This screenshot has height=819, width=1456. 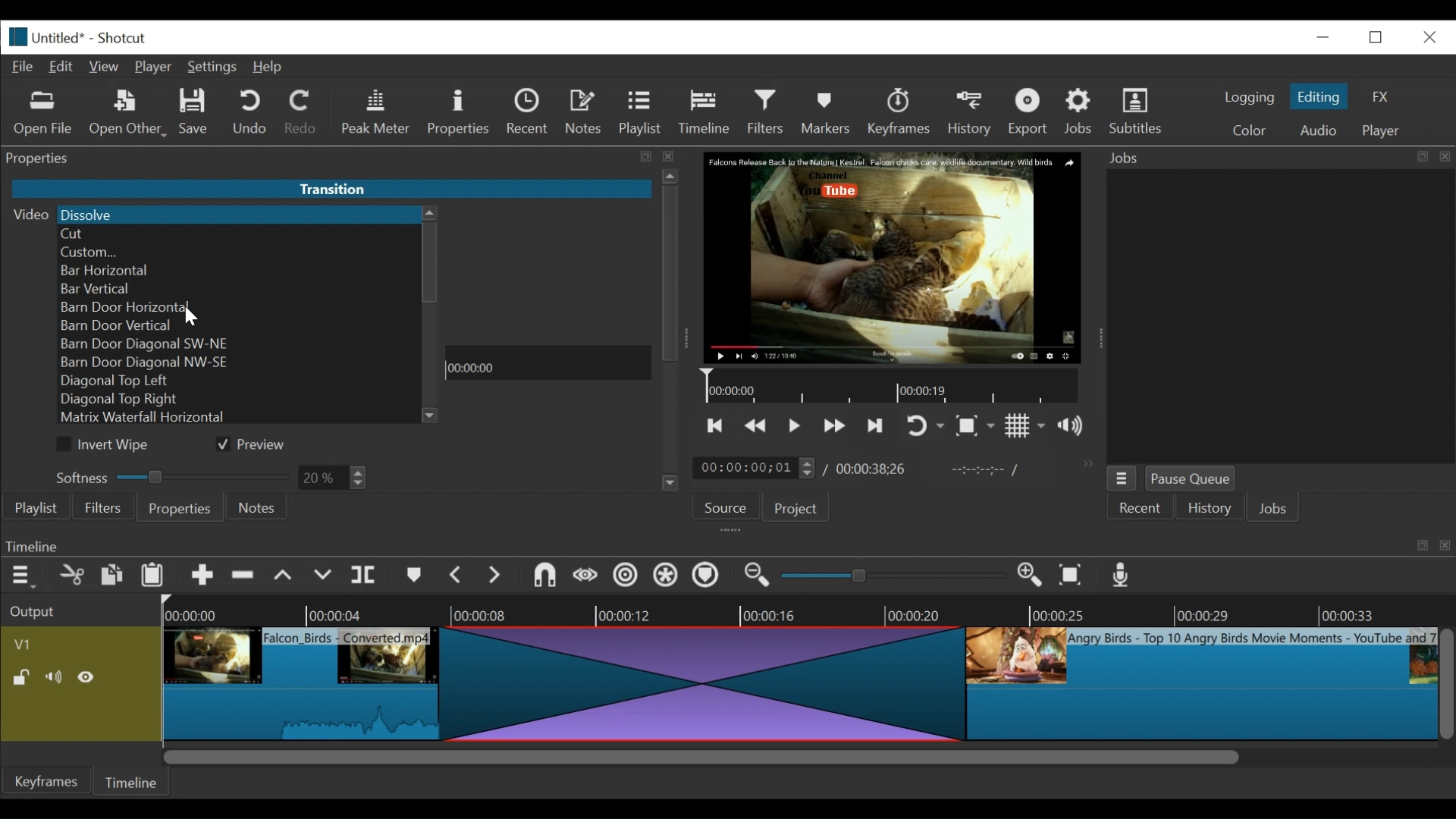 What do you see at coordinates (158, 577) in the screenshot?
I see `Paste` at bounding box center [158, 577].